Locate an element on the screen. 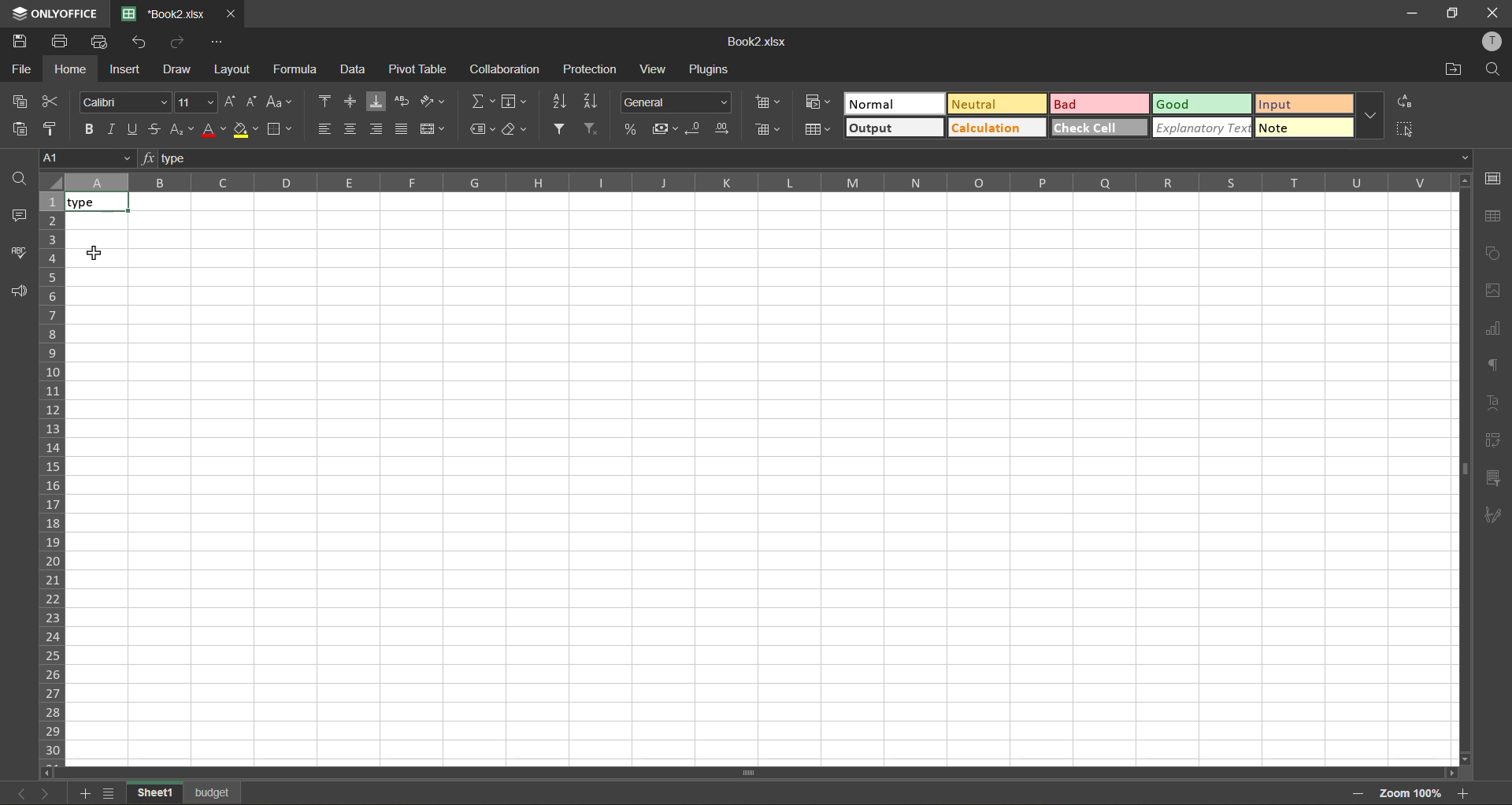 The image size is (1512, 805). zoom out is located at coordinates (1355, 793).